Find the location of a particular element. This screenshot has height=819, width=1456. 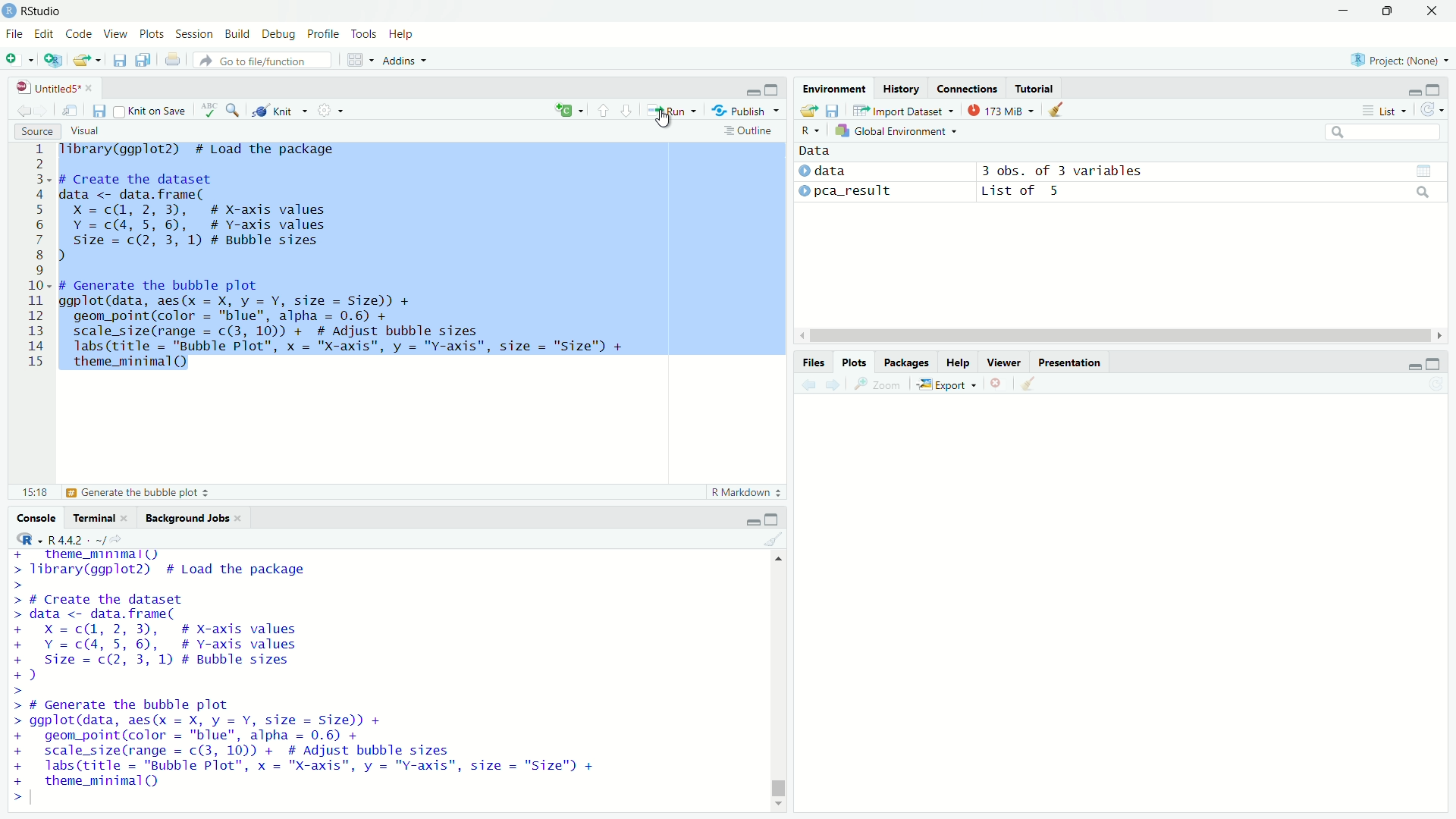

data usage: 173mb is located at coordinates (999, 109).